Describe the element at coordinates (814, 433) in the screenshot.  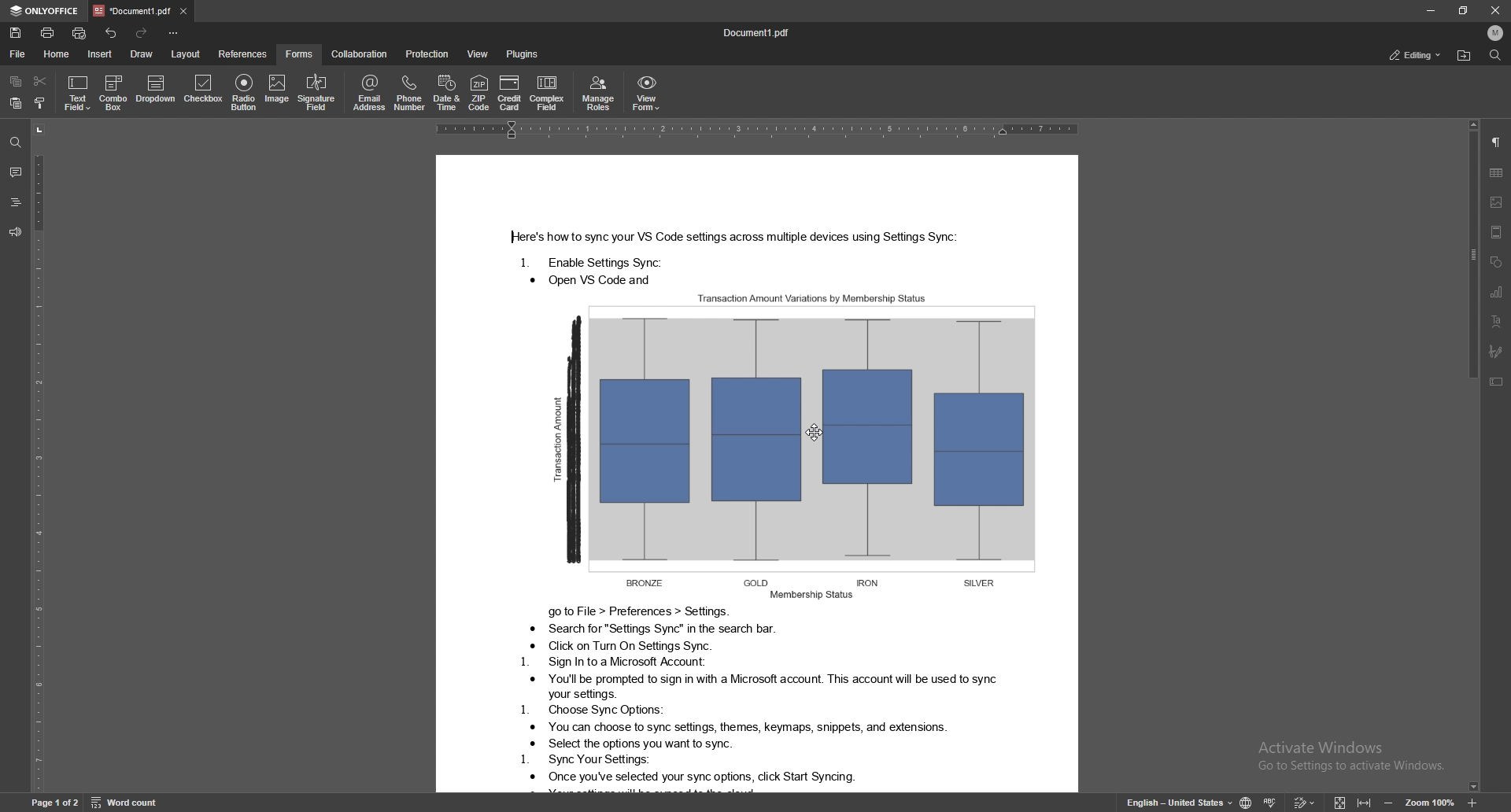
I see `cursor` at that location.